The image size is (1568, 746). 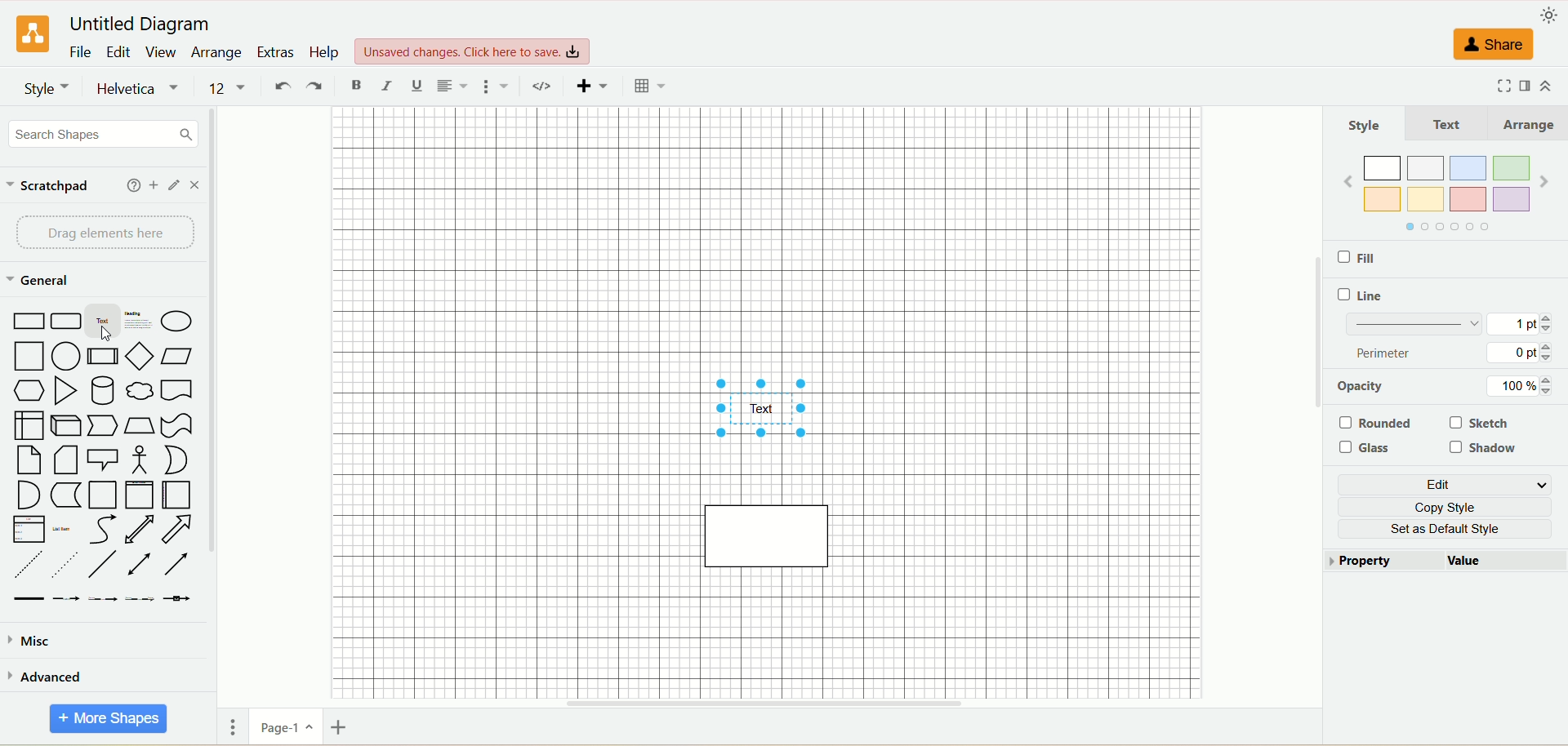 What do you see at coordinates (1452, 510) in the screenshot?
I see `copy style` at bounding box center [1452, 510].